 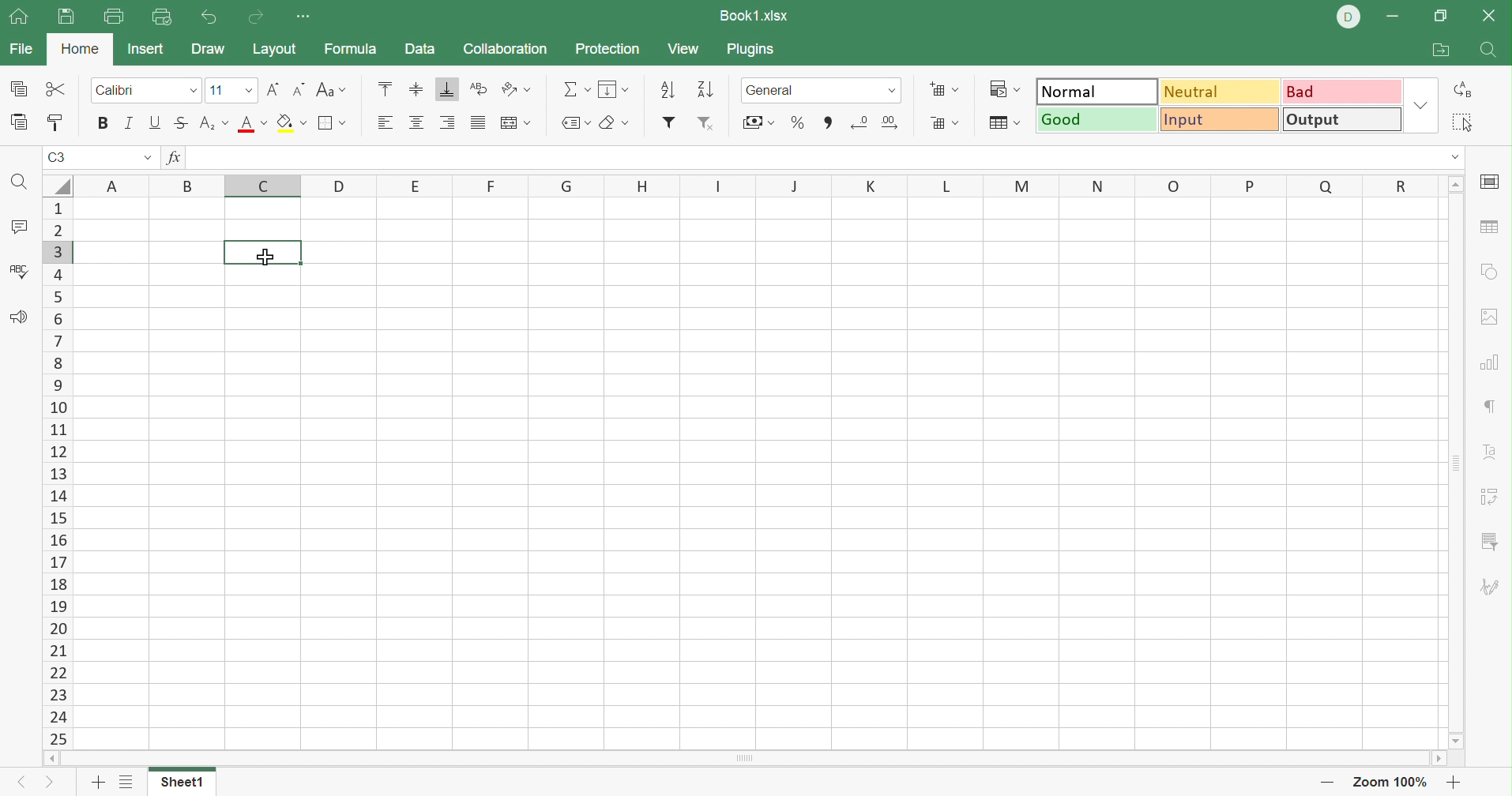 I want to click on Chart settings, so click(x=1488, y=361).